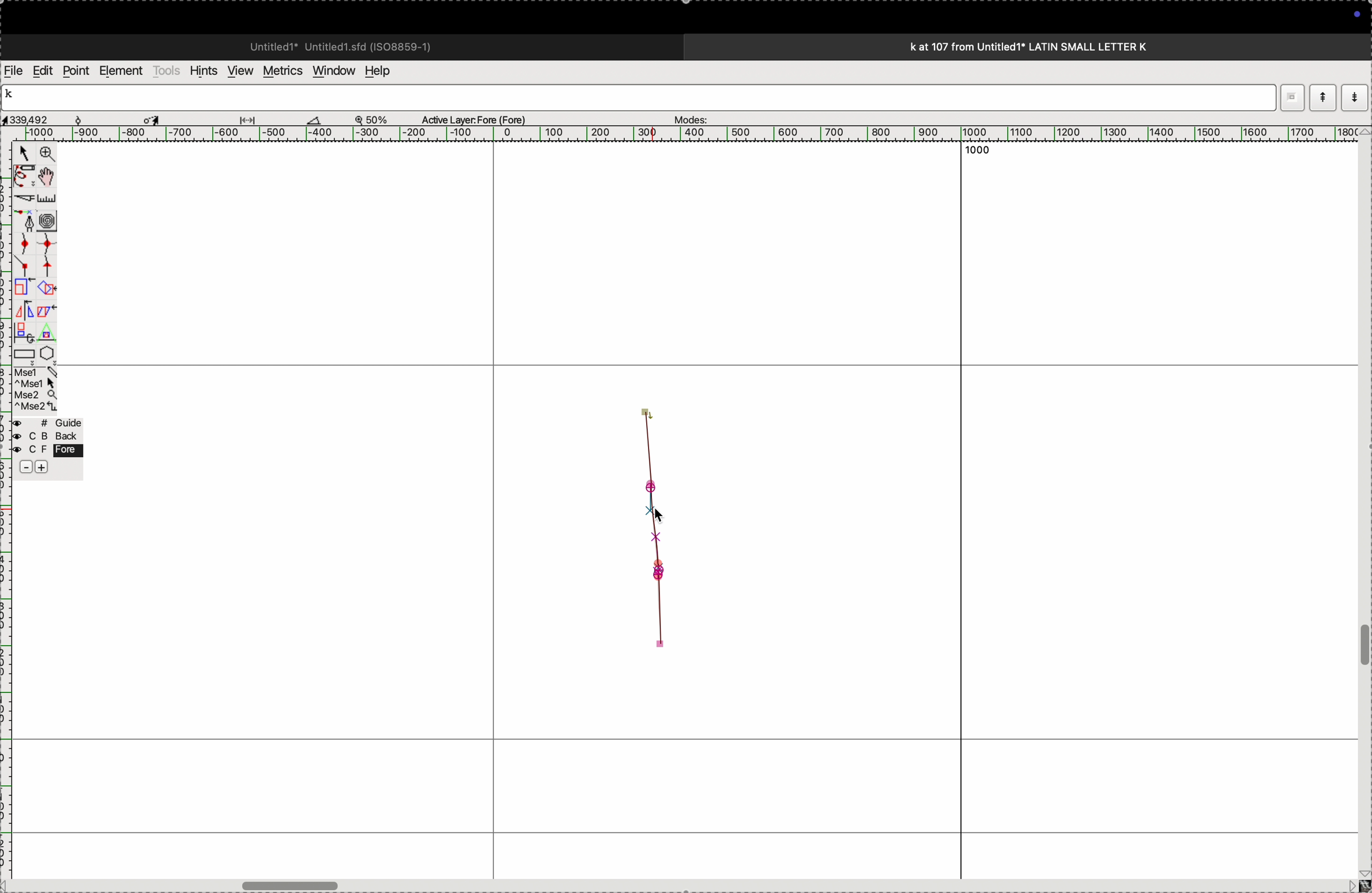 The height and width of the screenshot is (893, 1372). What do you see at coordinates (50, 176) in the screenshot?
I see `toggle` at bounding box center [50, 176].